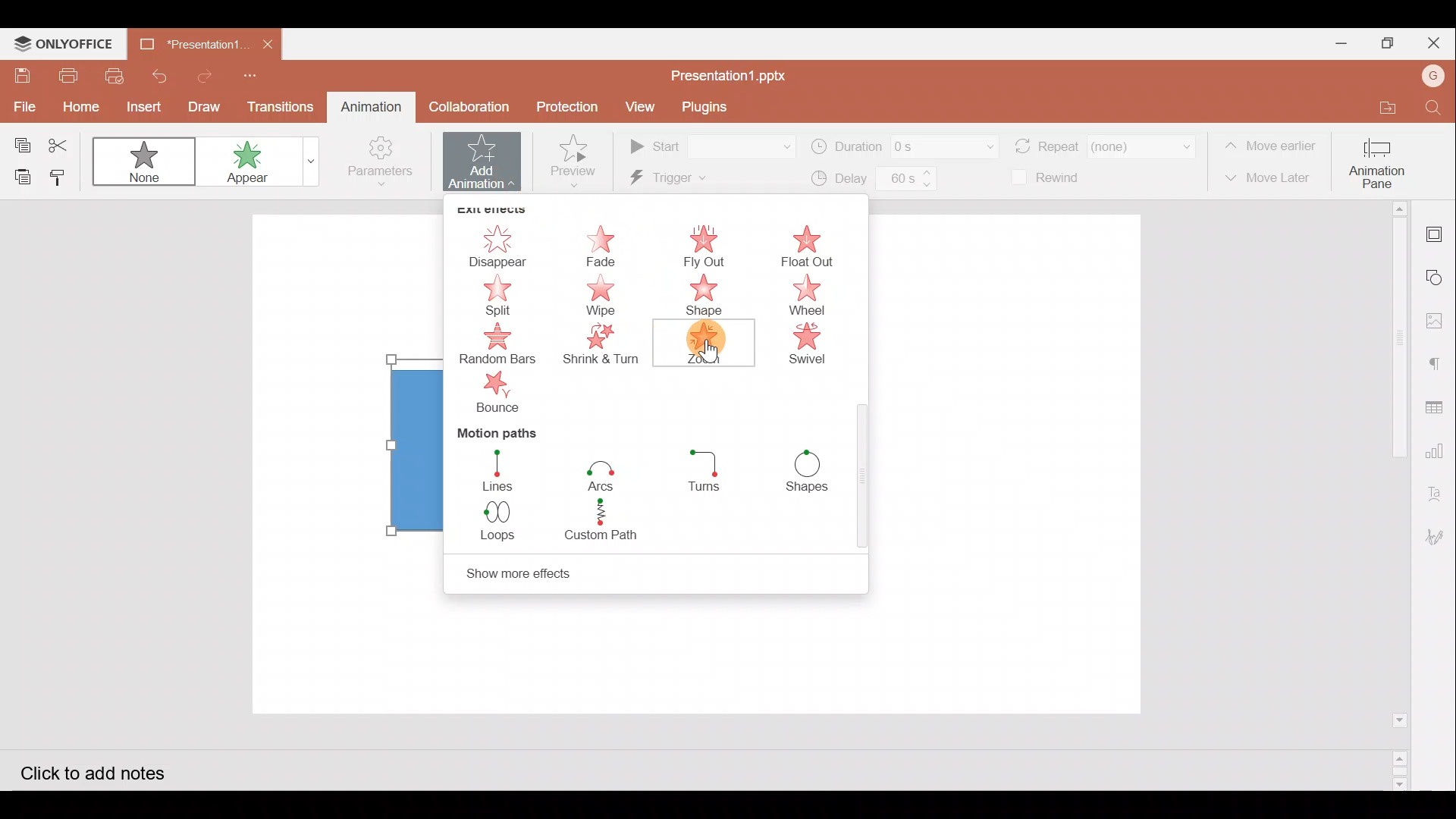 The height and width of the screenshot is (819, 1456). What do you see at coordinates (710, 146) in the screenshot?
I see `Start` at bounding box center [710, 146].